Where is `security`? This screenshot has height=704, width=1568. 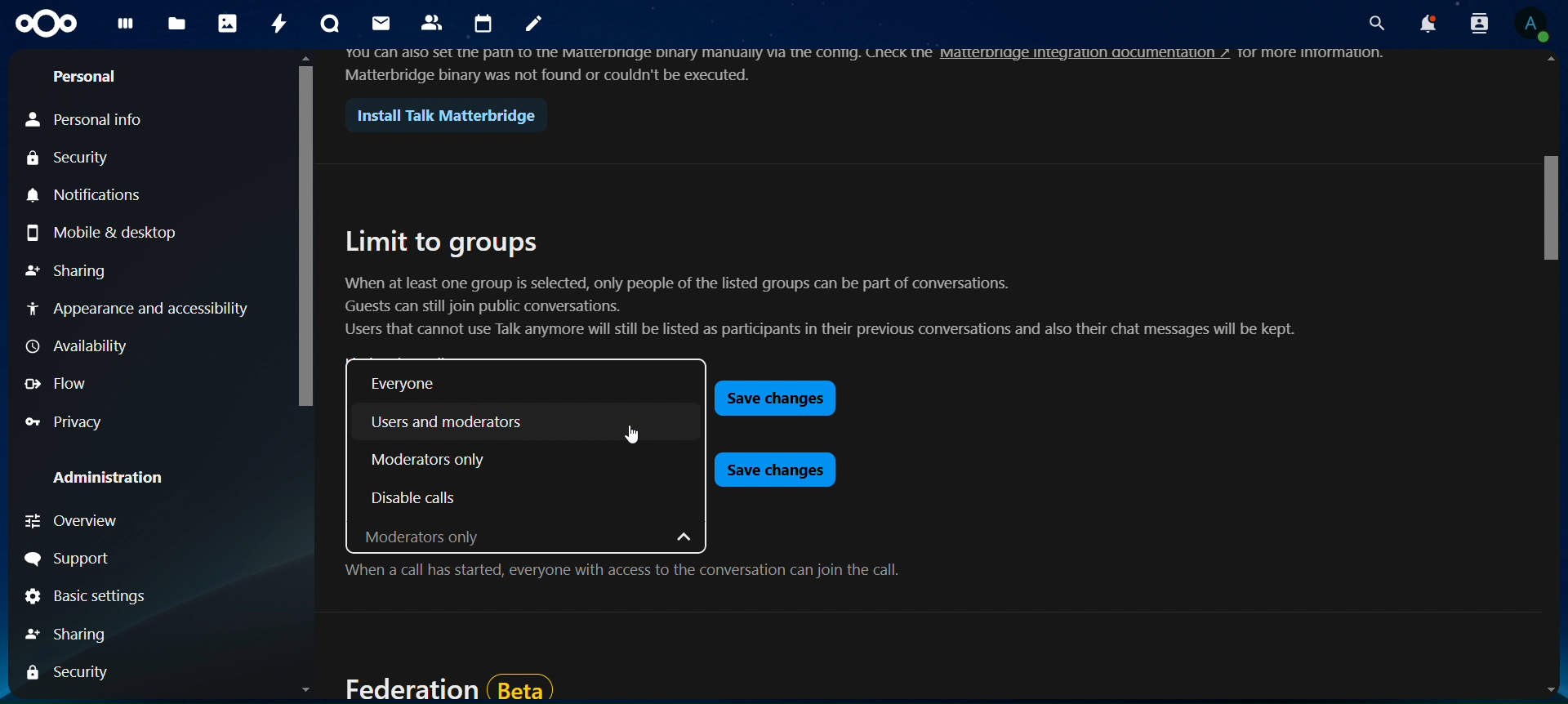 security is located at coordinates (72, 159).